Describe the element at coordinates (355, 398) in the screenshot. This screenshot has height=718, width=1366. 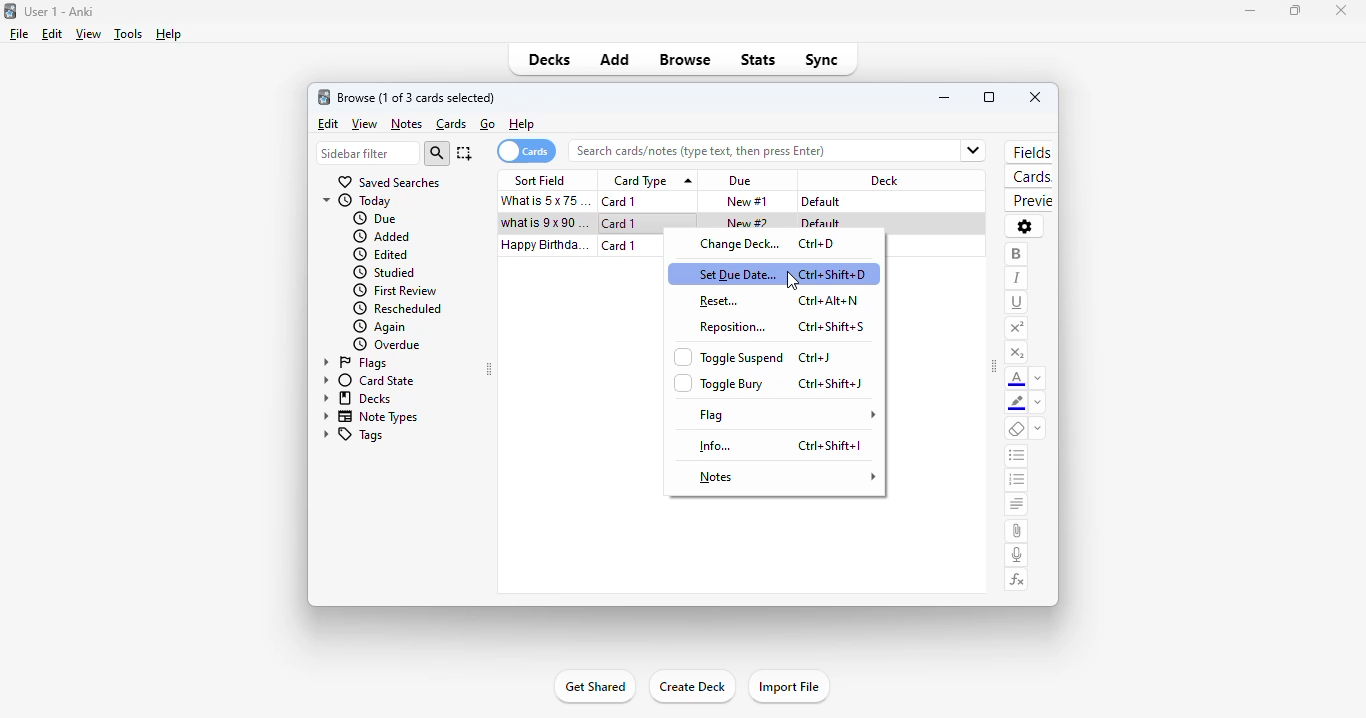
I see `decks` at that location.